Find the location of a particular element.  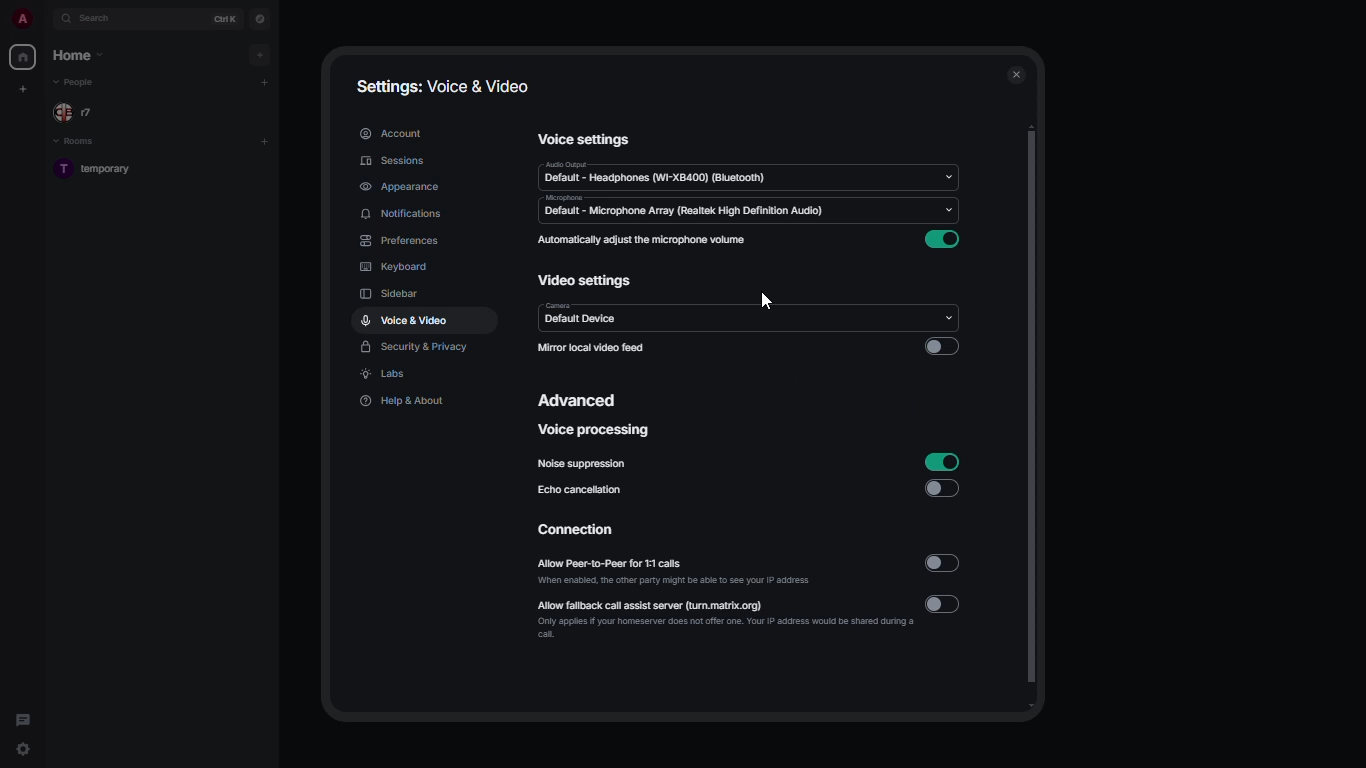

notifications is located at coordinates (400, 213).